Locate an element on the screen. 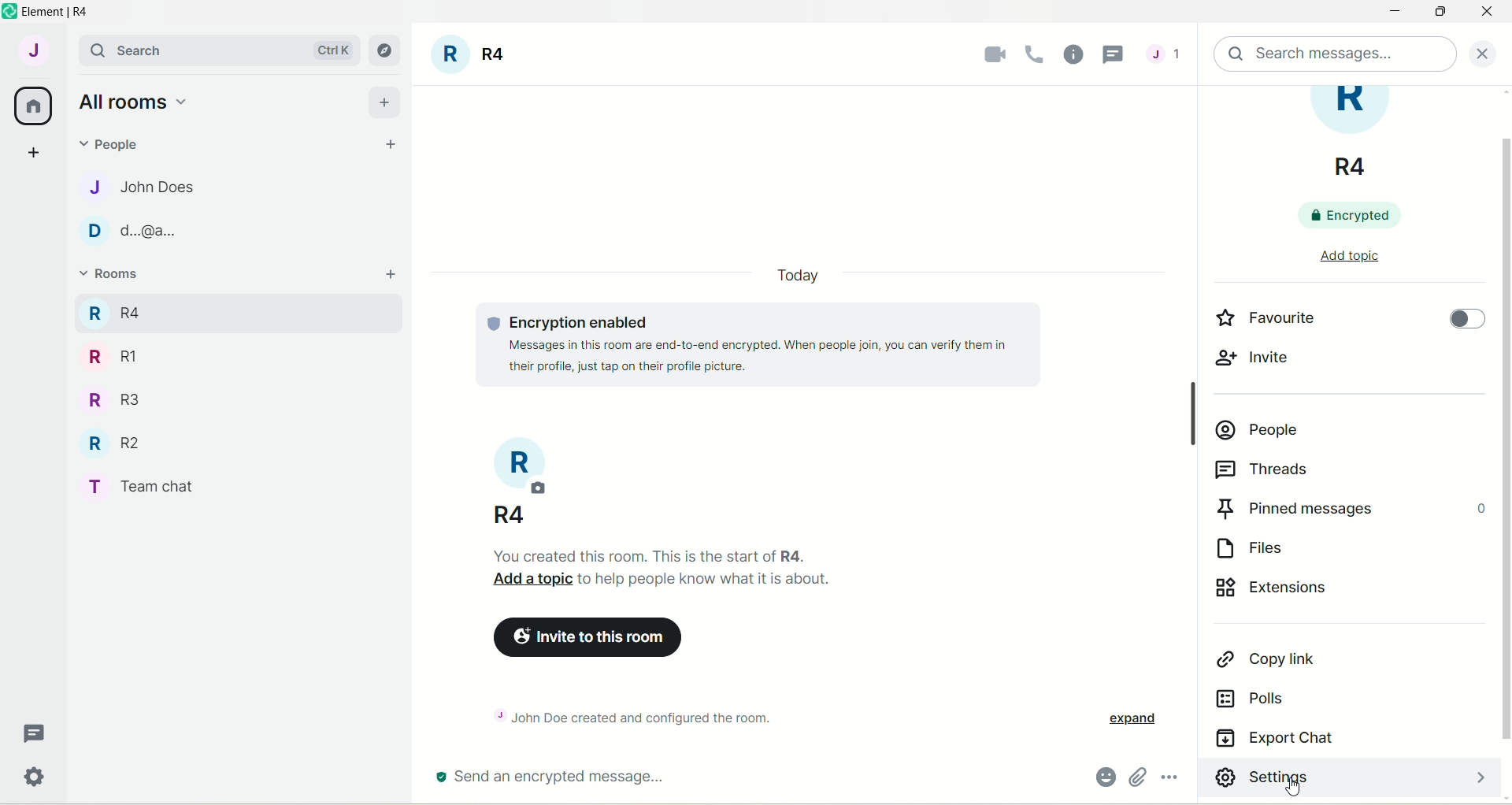 This screenshot has height=805, width=1512. threads is located at coordinates (1164, 57).